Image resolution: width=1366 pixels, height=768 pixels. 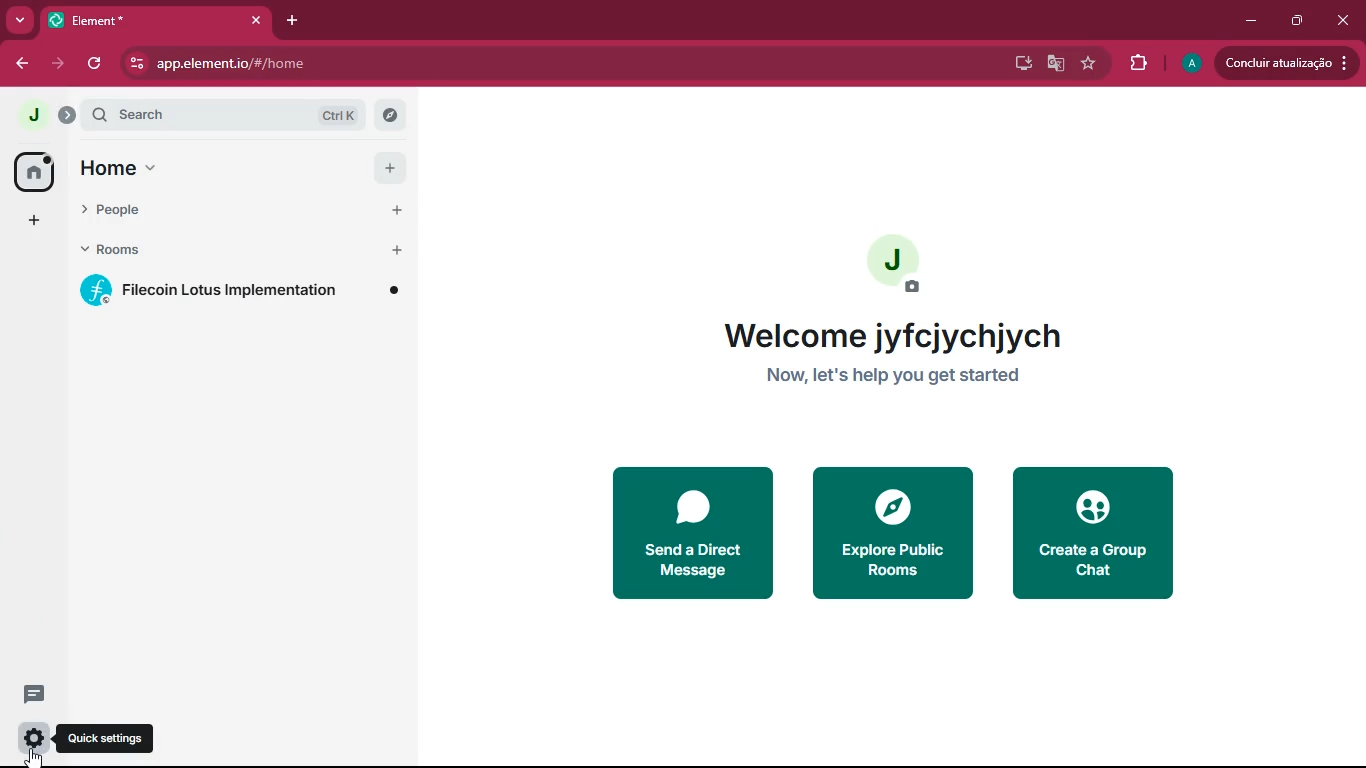 What do you see at coordinates (1090, 65) in the screenshot?
I see `favourite` at bounding box center [1090, 65].